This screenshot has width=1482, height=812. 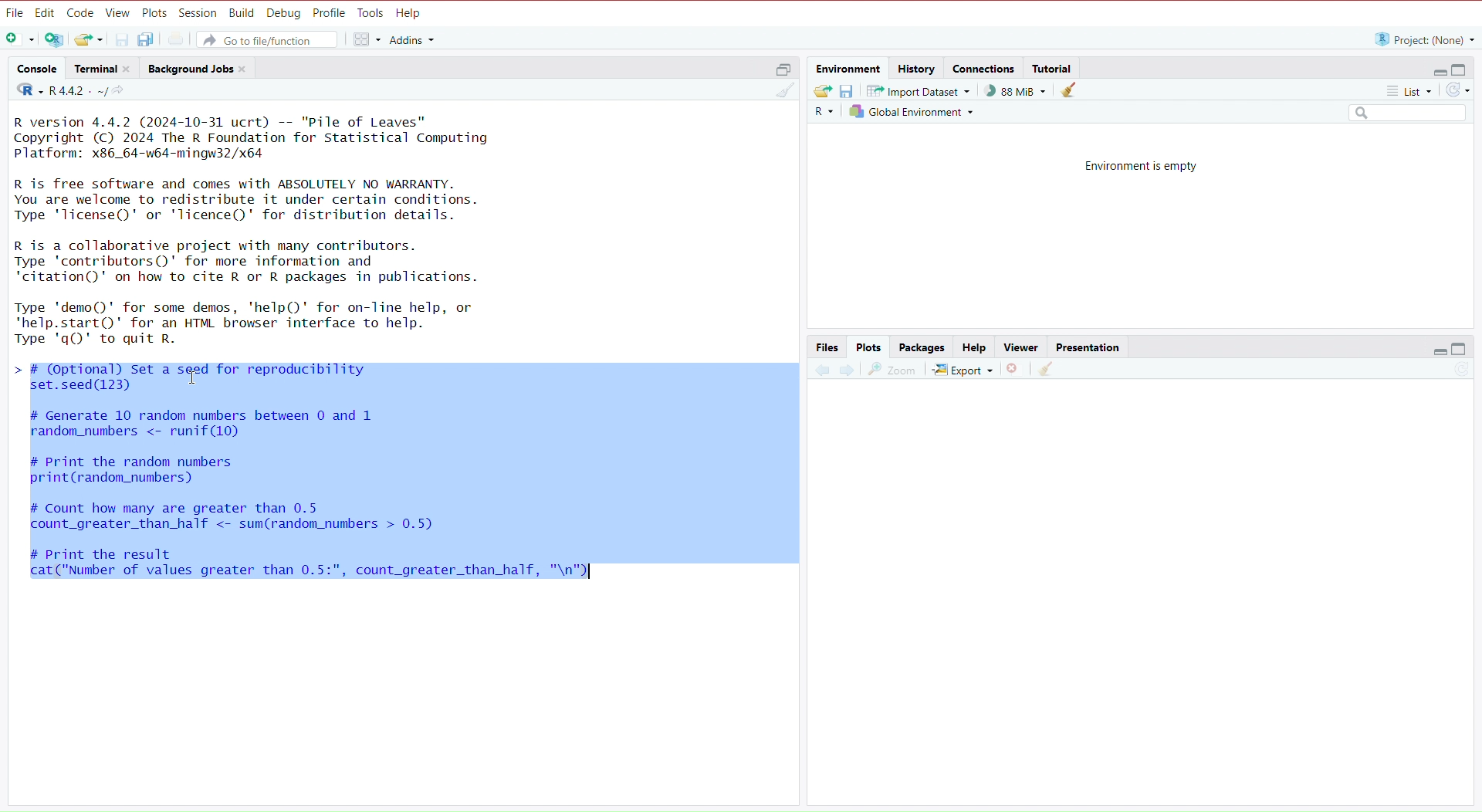 What do you see at coordinates (175, 39) in the screenshot?
I see `Print` at bounding box center [175, 39].